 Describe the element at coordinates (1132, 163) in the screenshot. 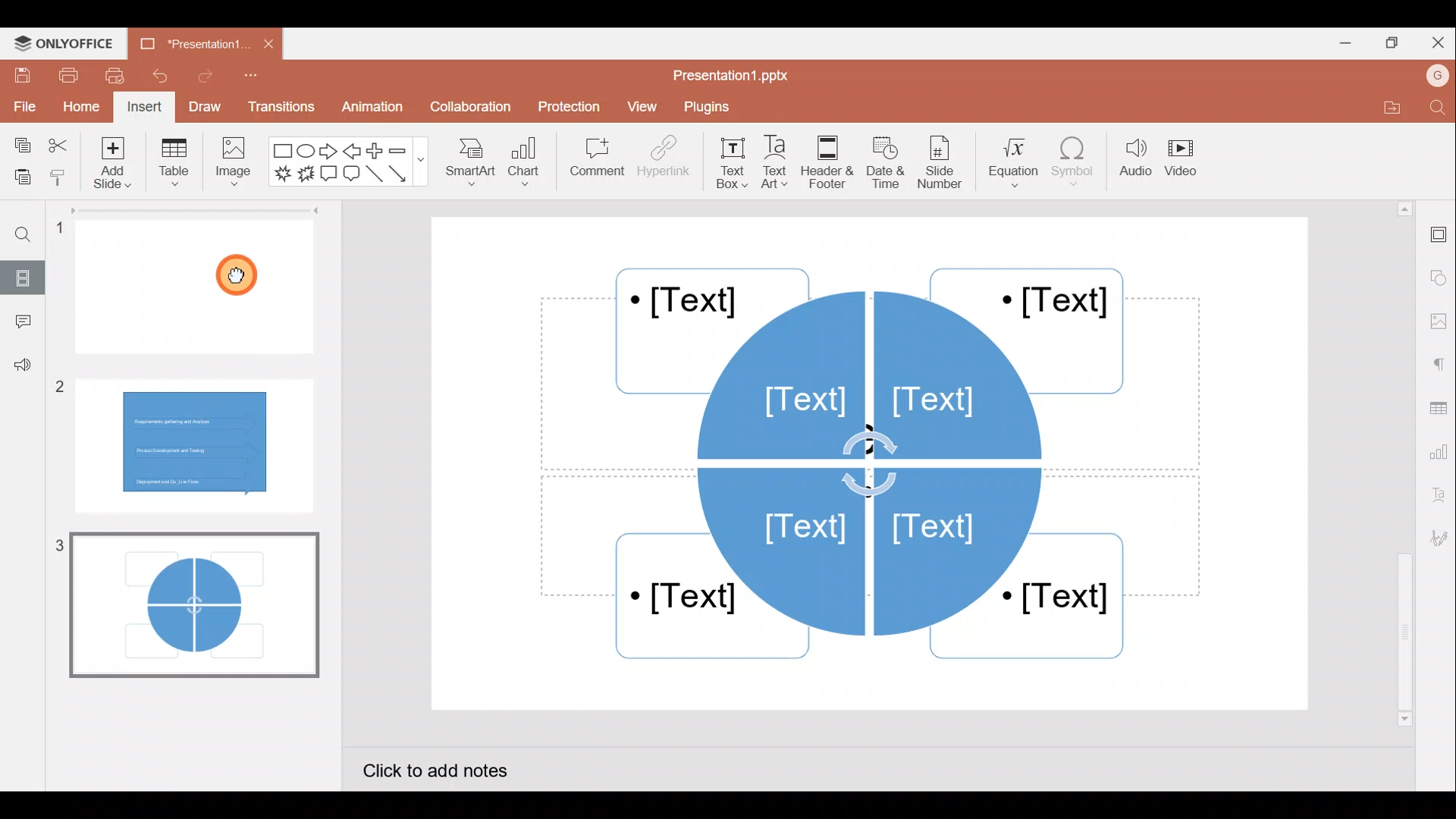

I see `Audio` at that location.